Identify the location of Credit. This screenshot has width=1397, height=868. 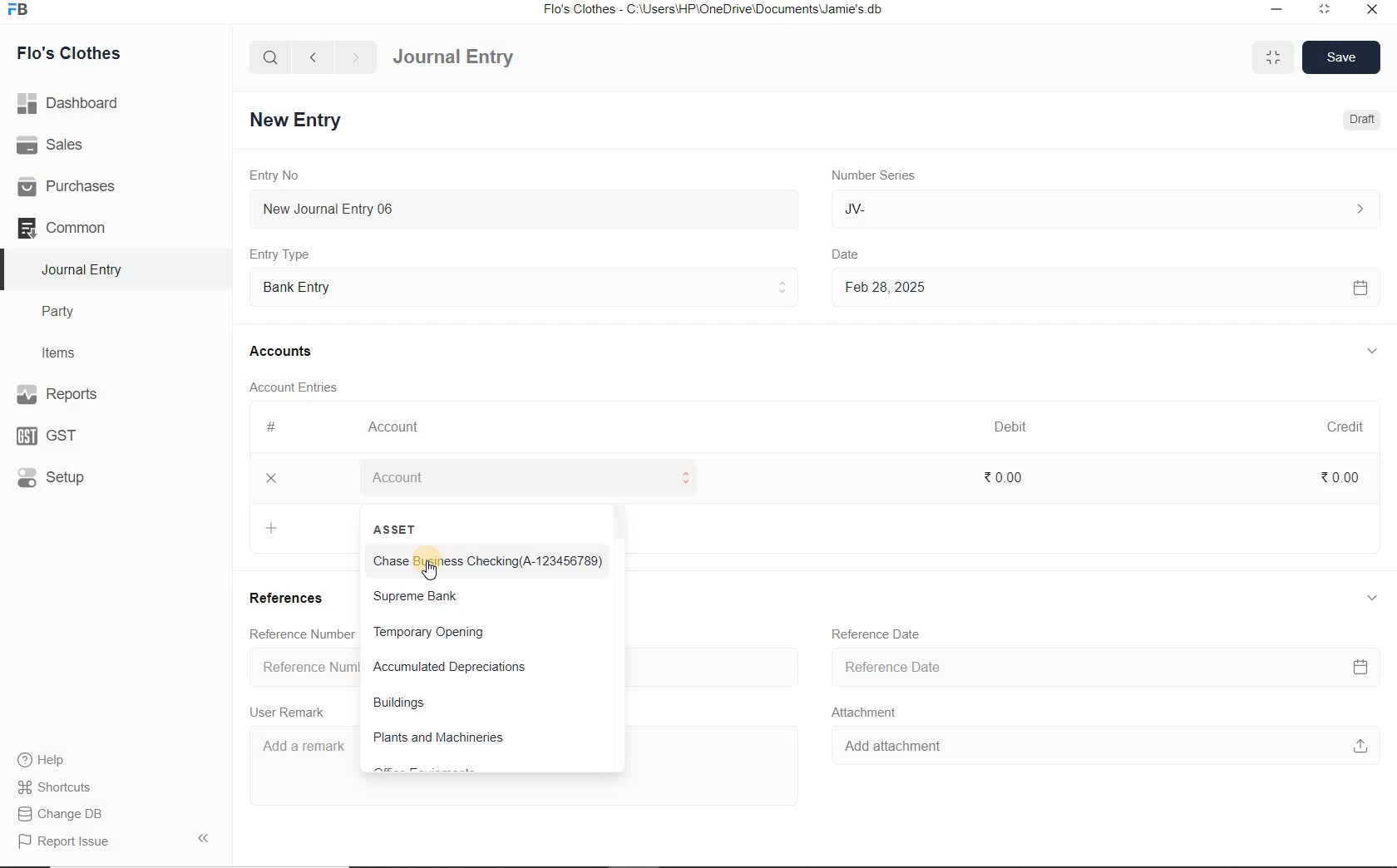
(1346, 427).